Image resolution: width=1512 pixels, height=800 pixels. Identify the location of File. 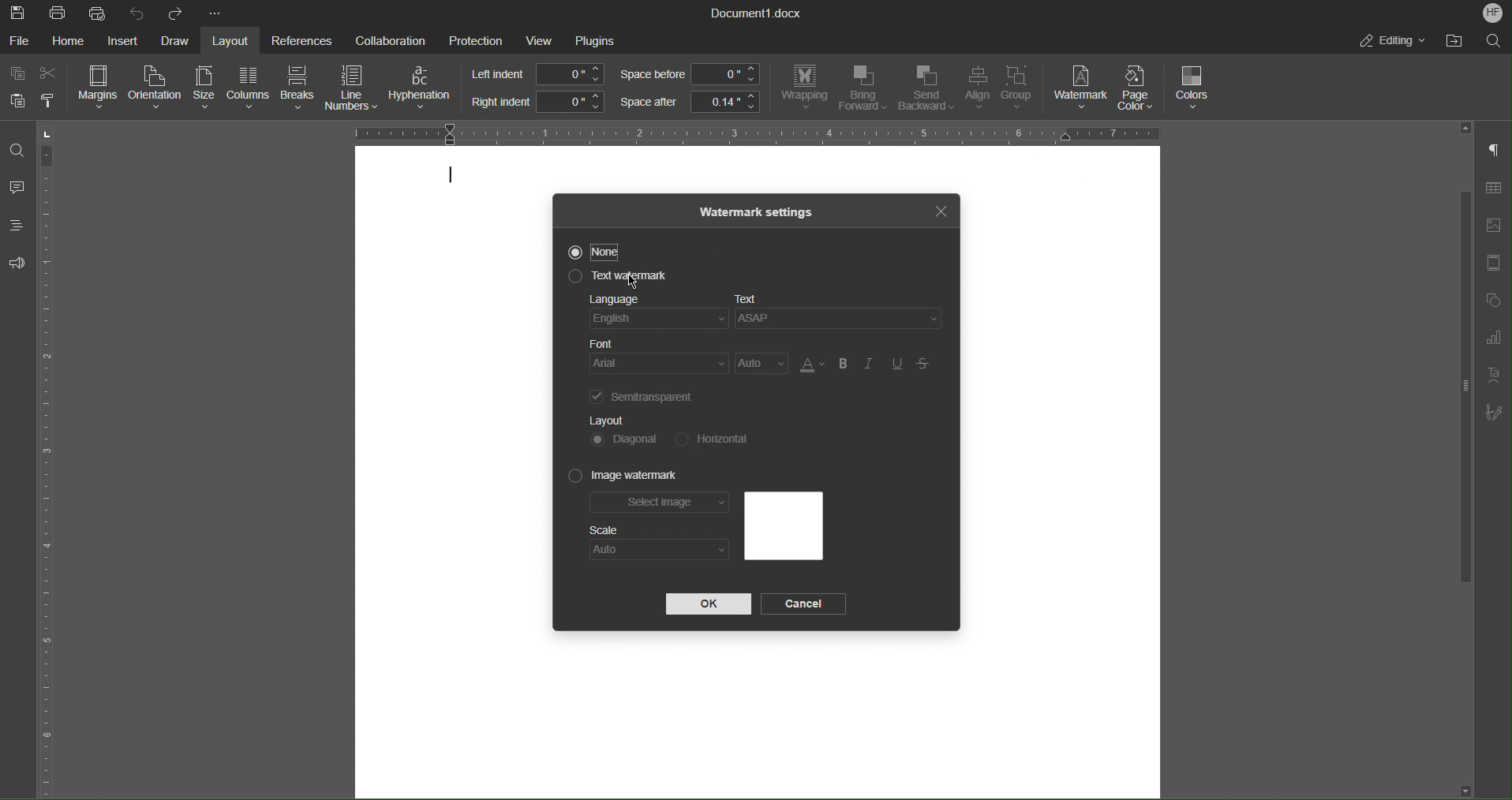
(21, 40).